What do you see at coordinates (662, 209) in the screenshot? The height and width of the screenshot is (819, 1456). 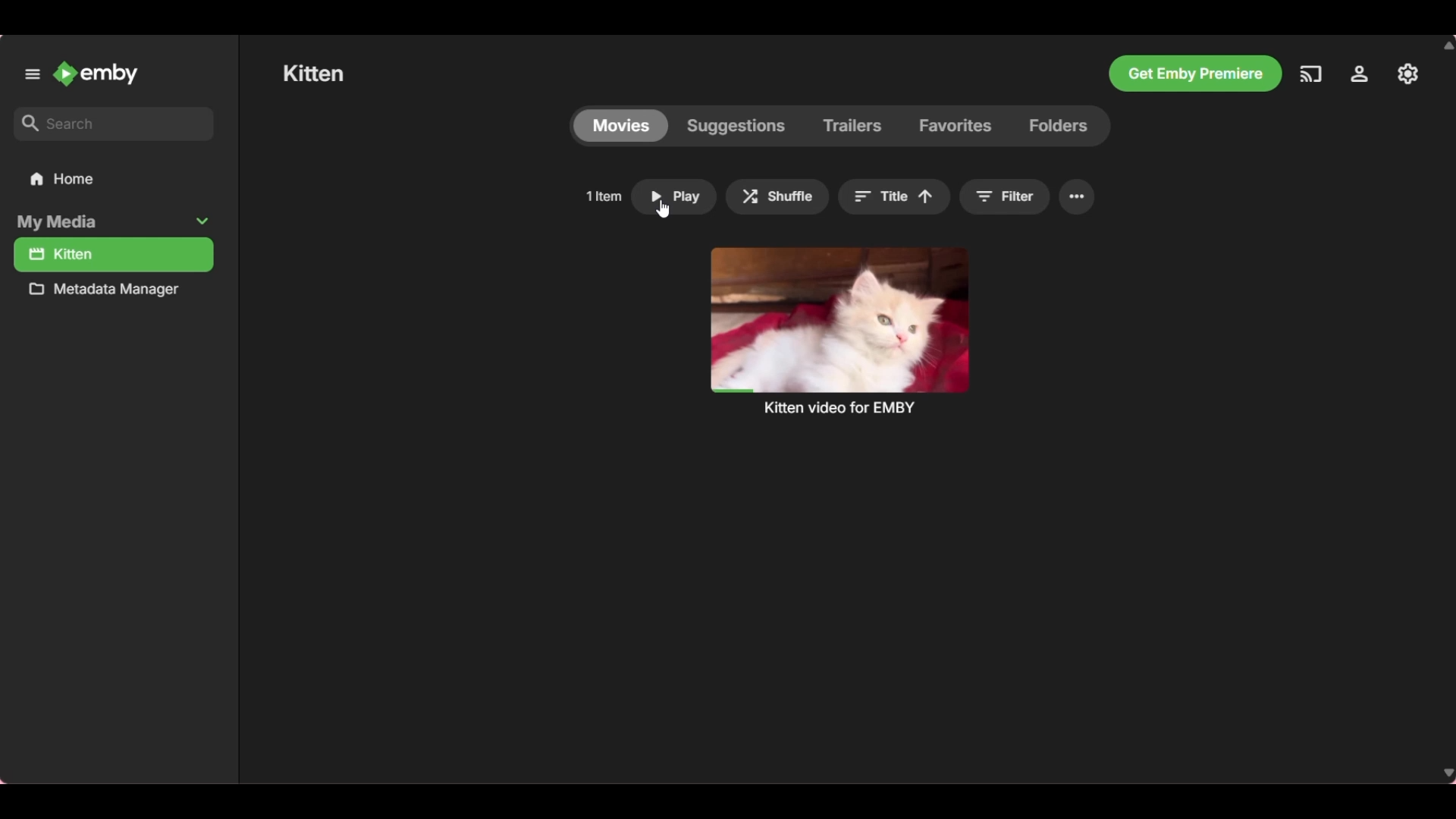 I see `cursor` at bounding box center [662, 209].